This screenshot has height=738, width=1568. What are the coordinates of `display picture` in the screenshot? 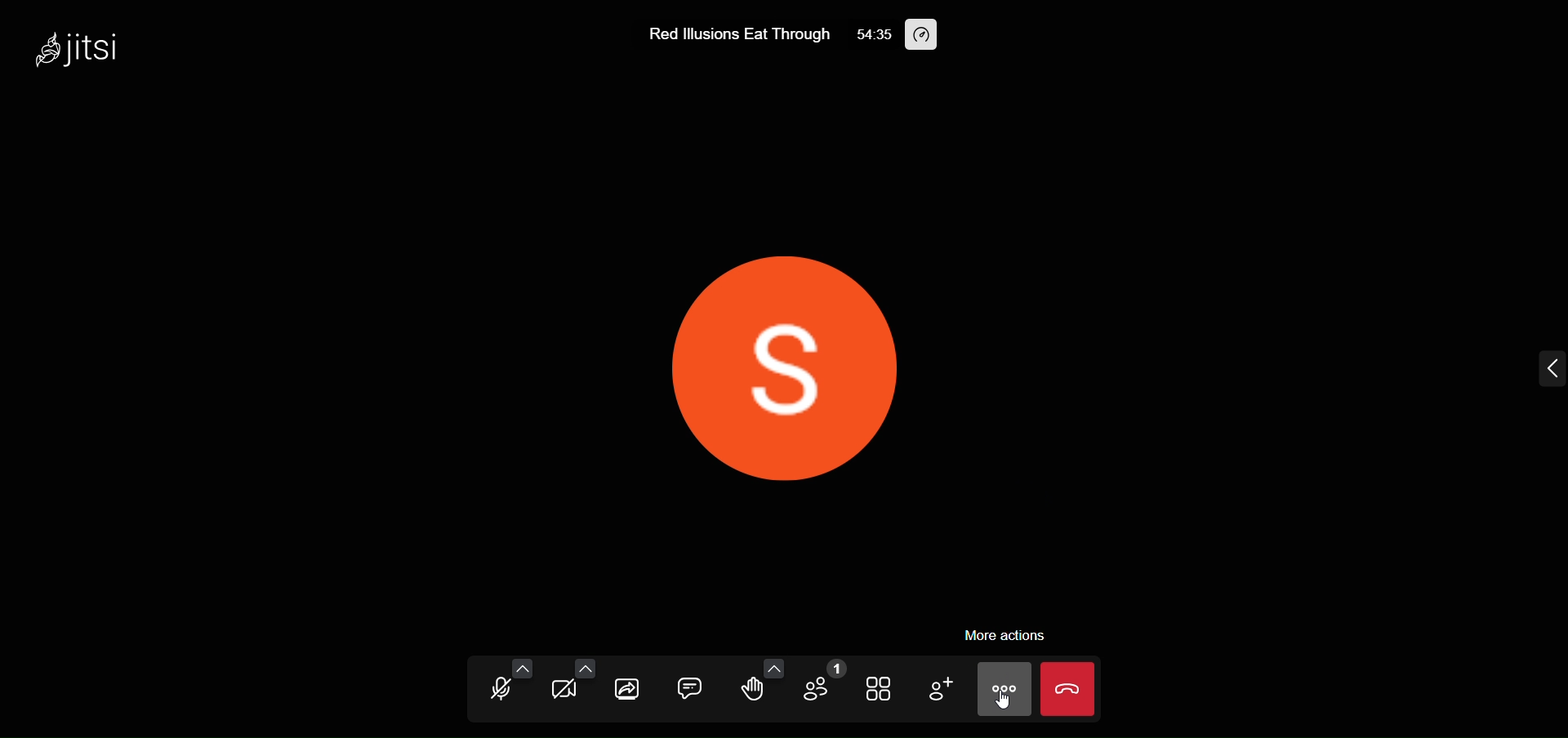 It's located at (788, 365).